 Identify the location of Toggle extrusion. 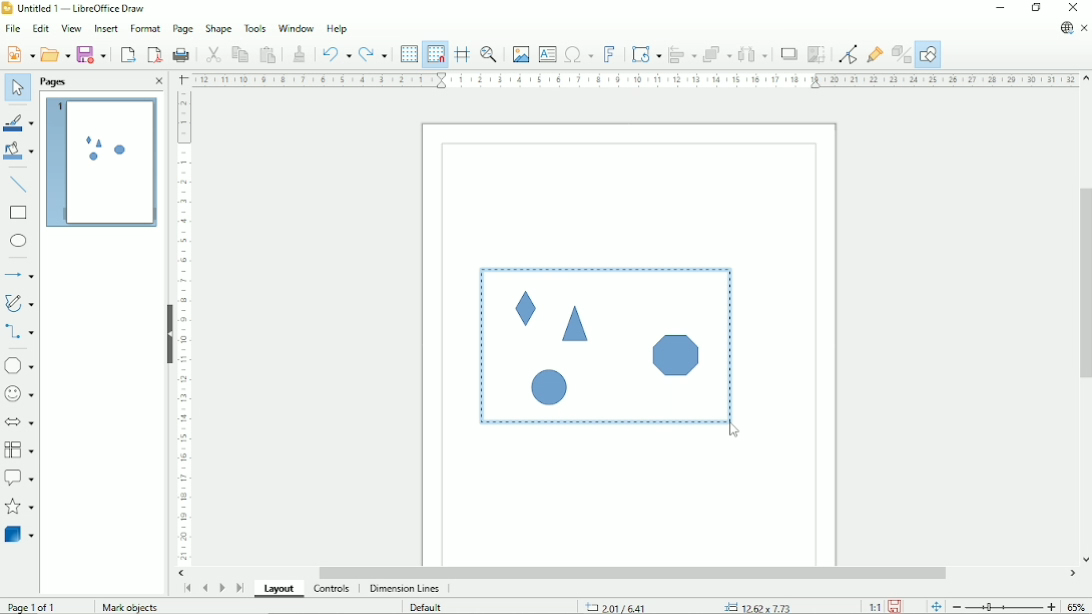
(902, 53).